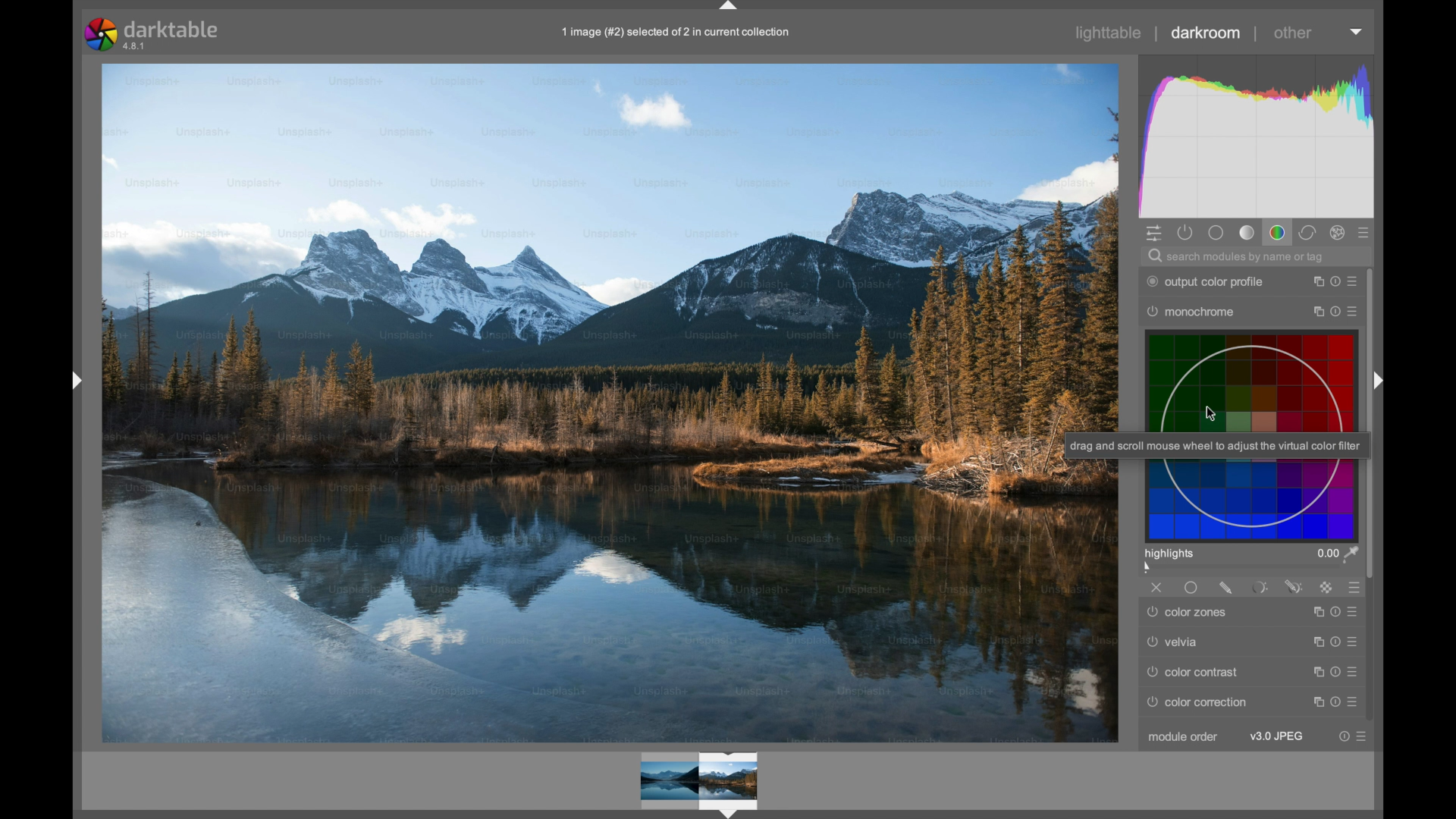  What do you see at coordinates (1357, 642) in the screenshot?
I see `presets` at bounding box center [1357, 642].